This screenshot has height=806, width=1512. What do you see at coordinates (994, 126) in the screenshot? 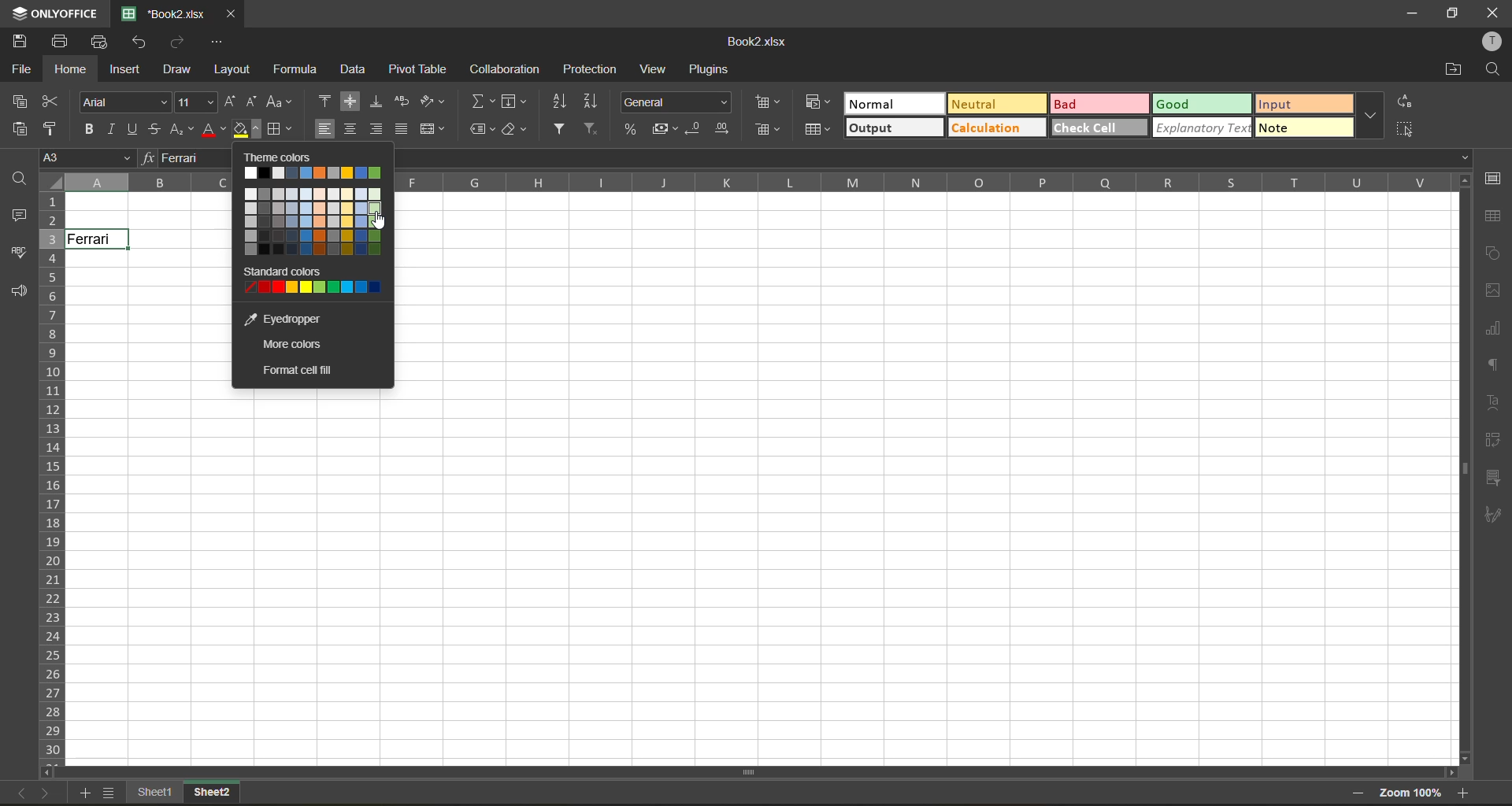
I see `calculation` at bounding box center [994, 126].